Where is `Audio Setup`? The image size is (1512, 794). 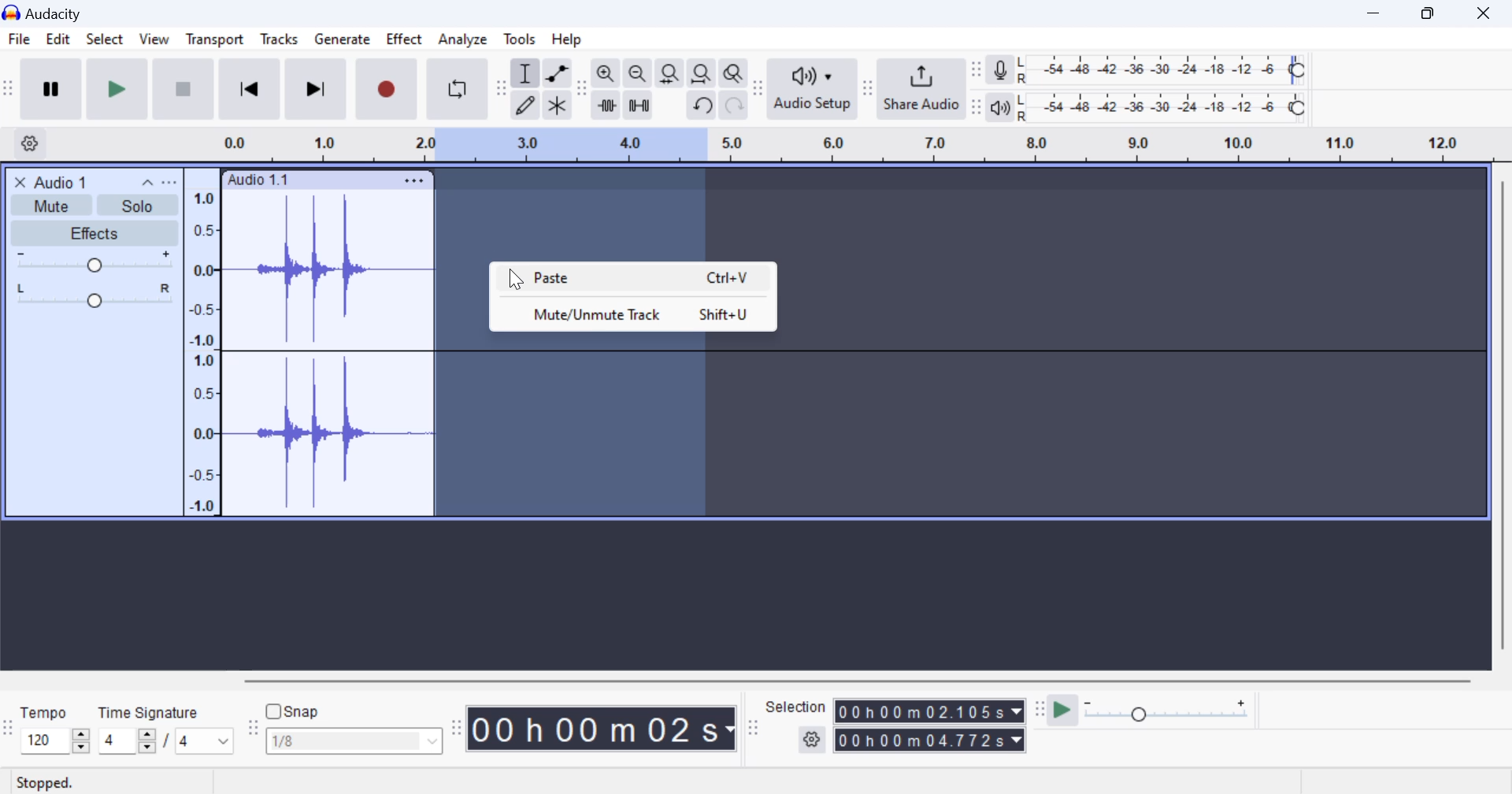 Audio Setup is located at coordinates (811, 88).